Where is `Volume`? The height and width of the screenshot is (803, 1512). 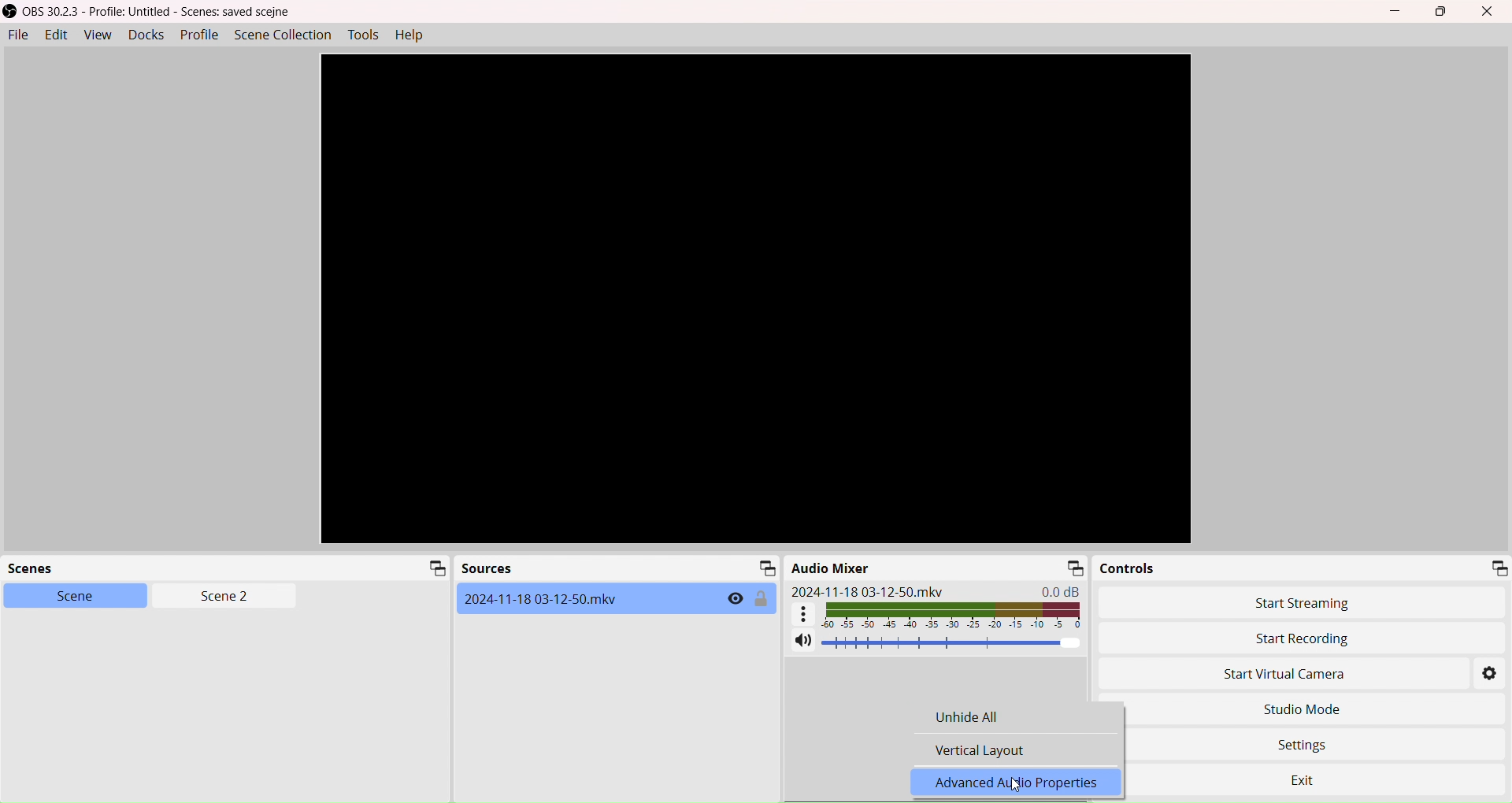
Volume is located at coordinates (953, 643).